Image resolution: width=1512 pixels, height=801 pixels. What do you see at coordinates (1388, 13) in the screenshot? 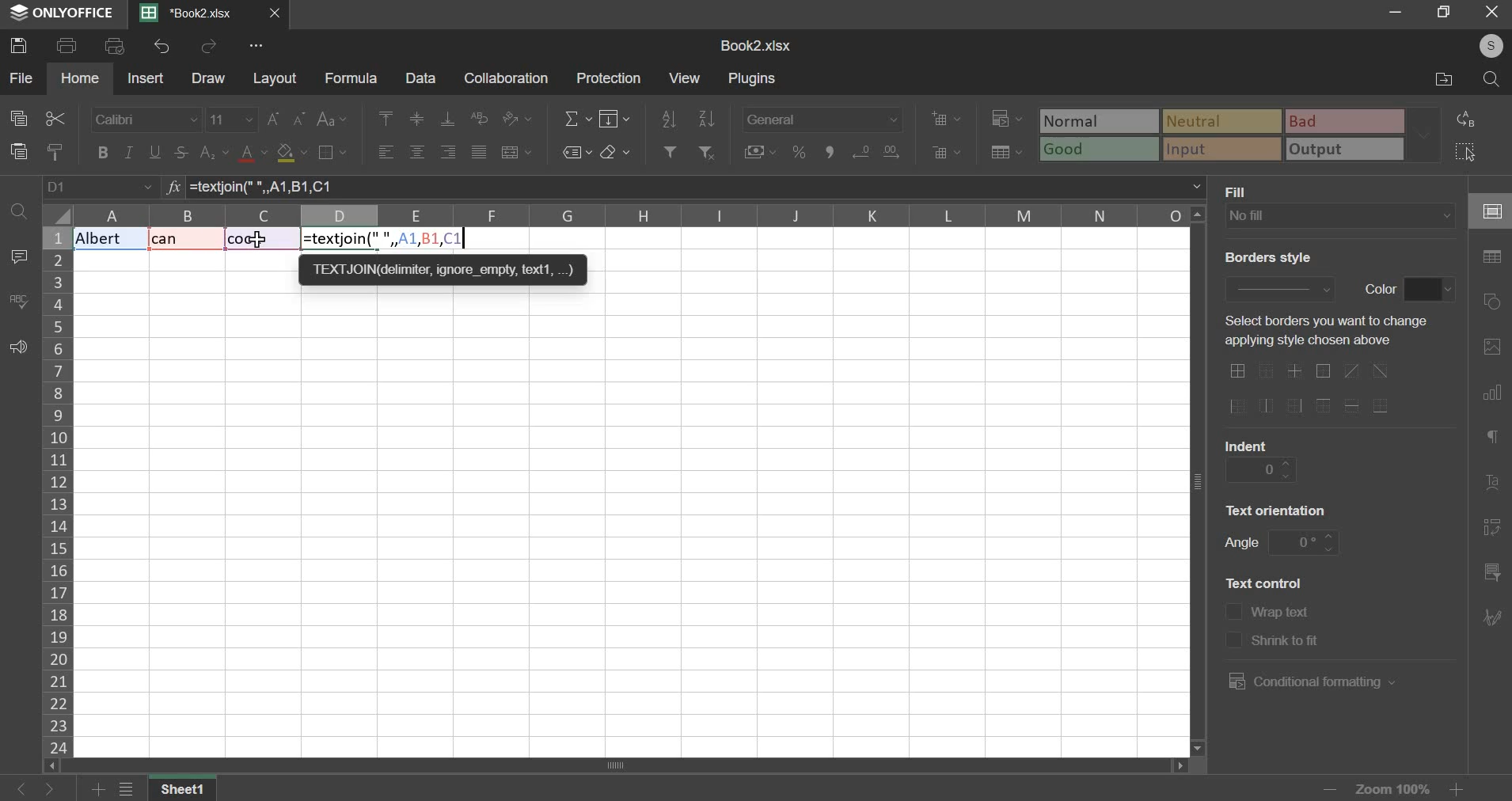
I see `minimize` at bounding box center [1388, 13].